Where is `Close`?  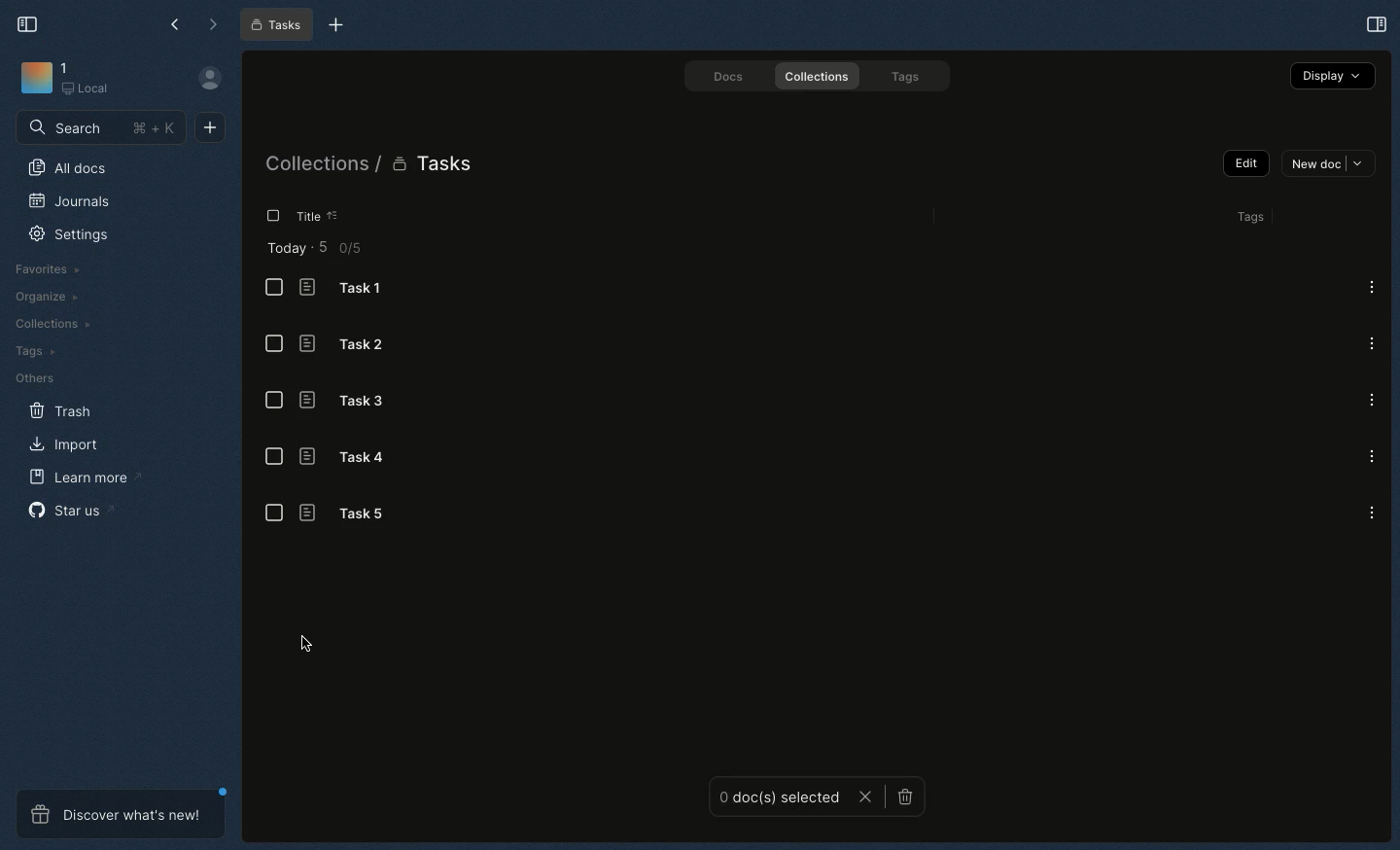 Close is located at coordinates (866, 799).